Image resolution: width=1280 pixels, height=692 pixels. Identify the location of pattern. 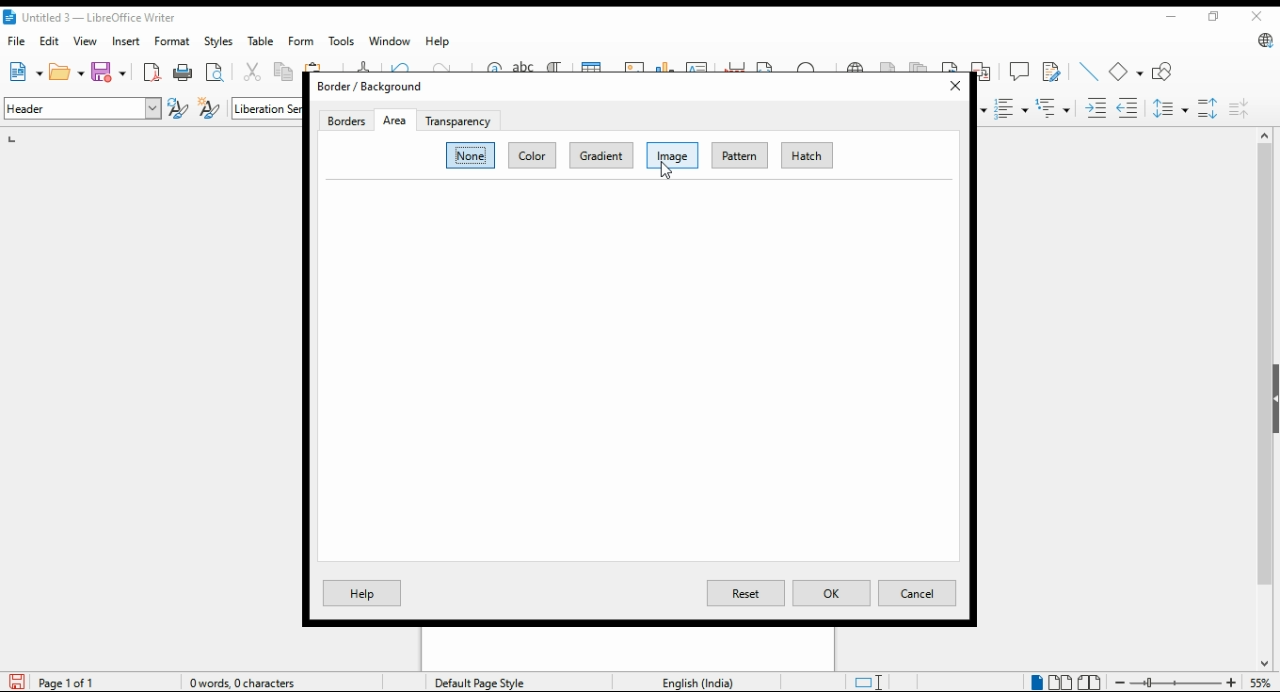
(739, 155).